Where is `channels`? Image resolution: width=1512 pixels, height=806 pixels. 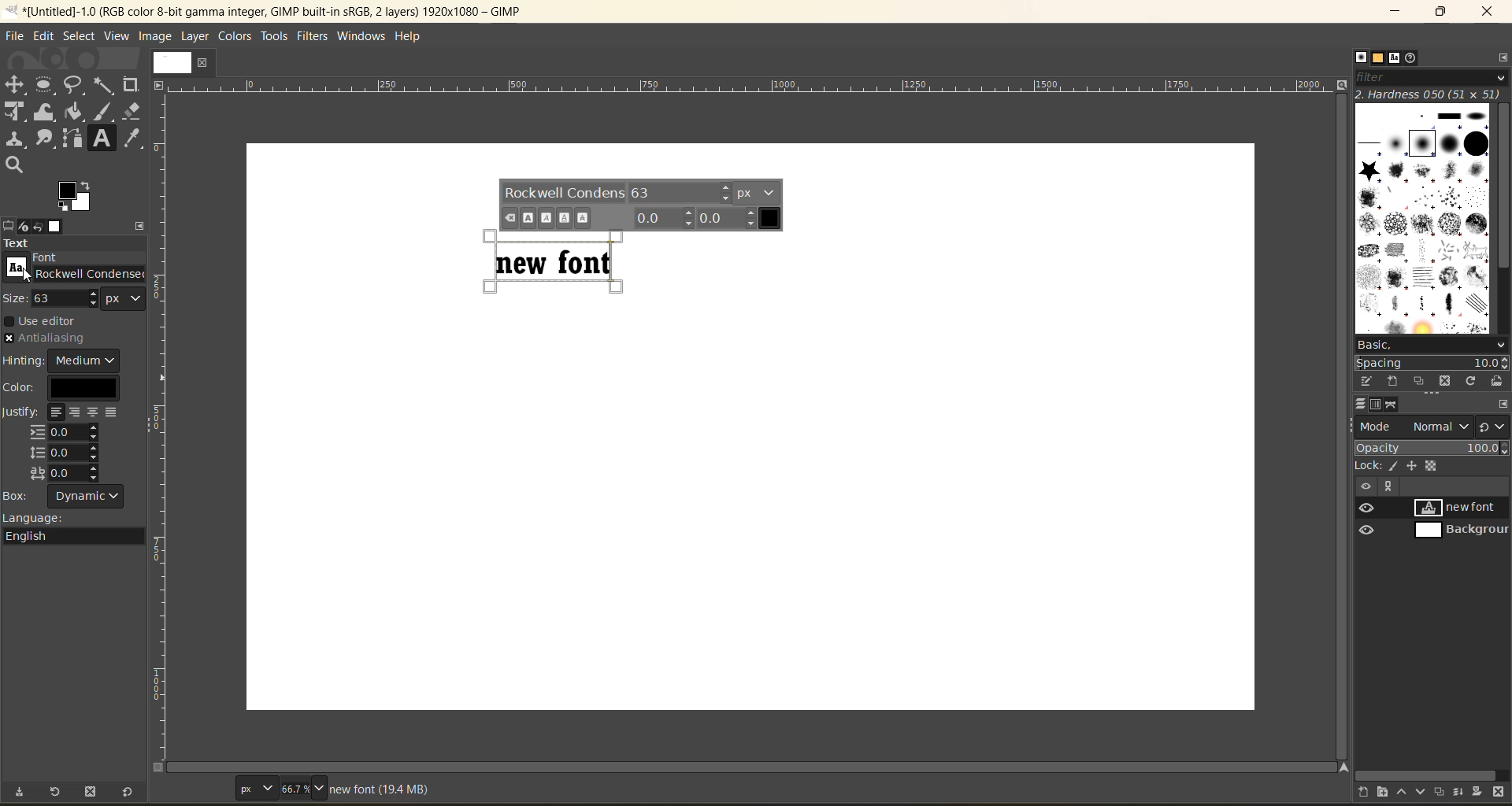
channels is located at coordinates (1380, 405).